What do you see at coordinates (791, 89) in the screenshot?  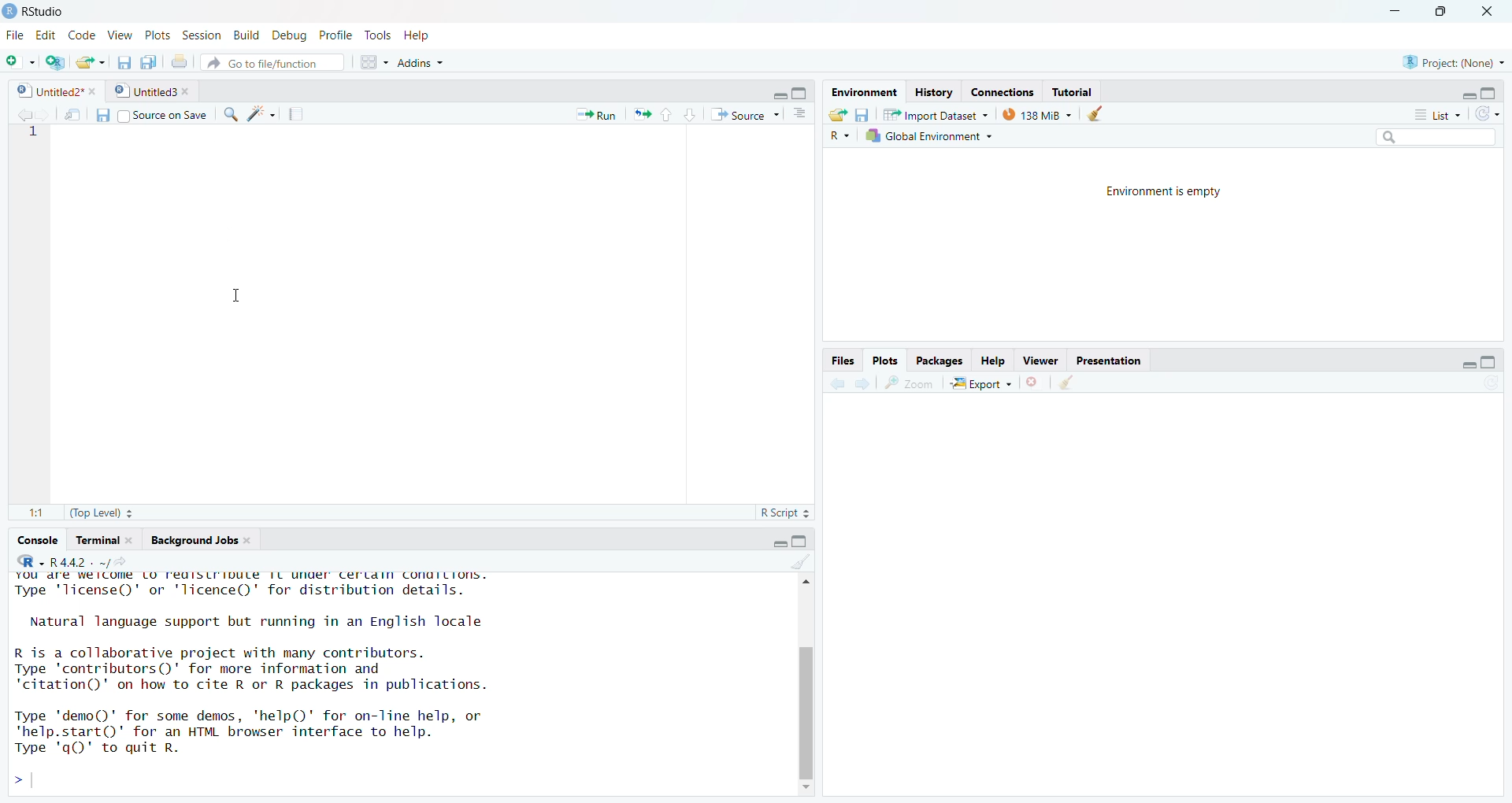 I see `minimize/maximize` at bounding box center [791, 89].